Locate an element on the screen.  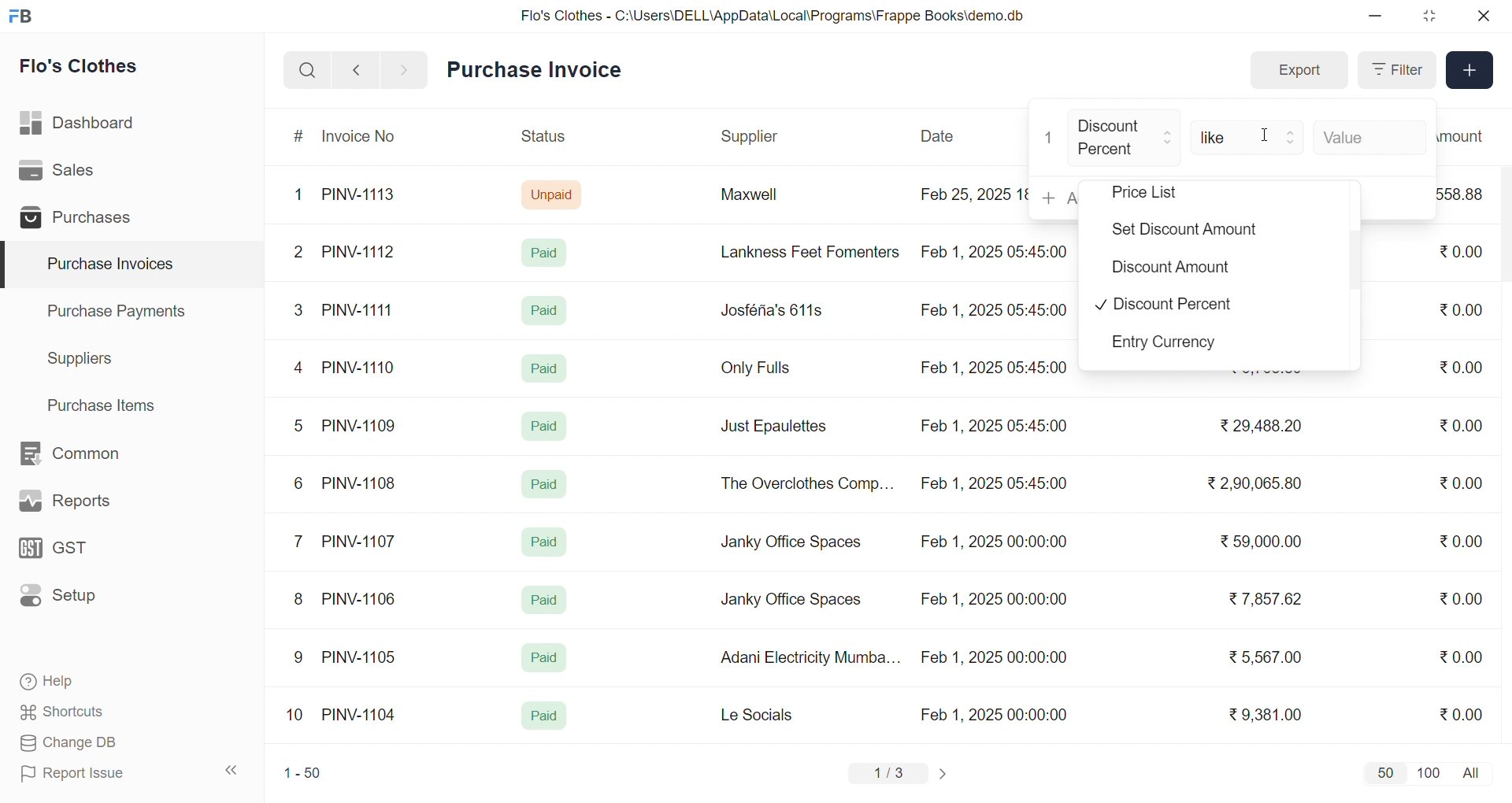
Feb 1, 2025 00:00:00 is located at coordinates (994, 657).